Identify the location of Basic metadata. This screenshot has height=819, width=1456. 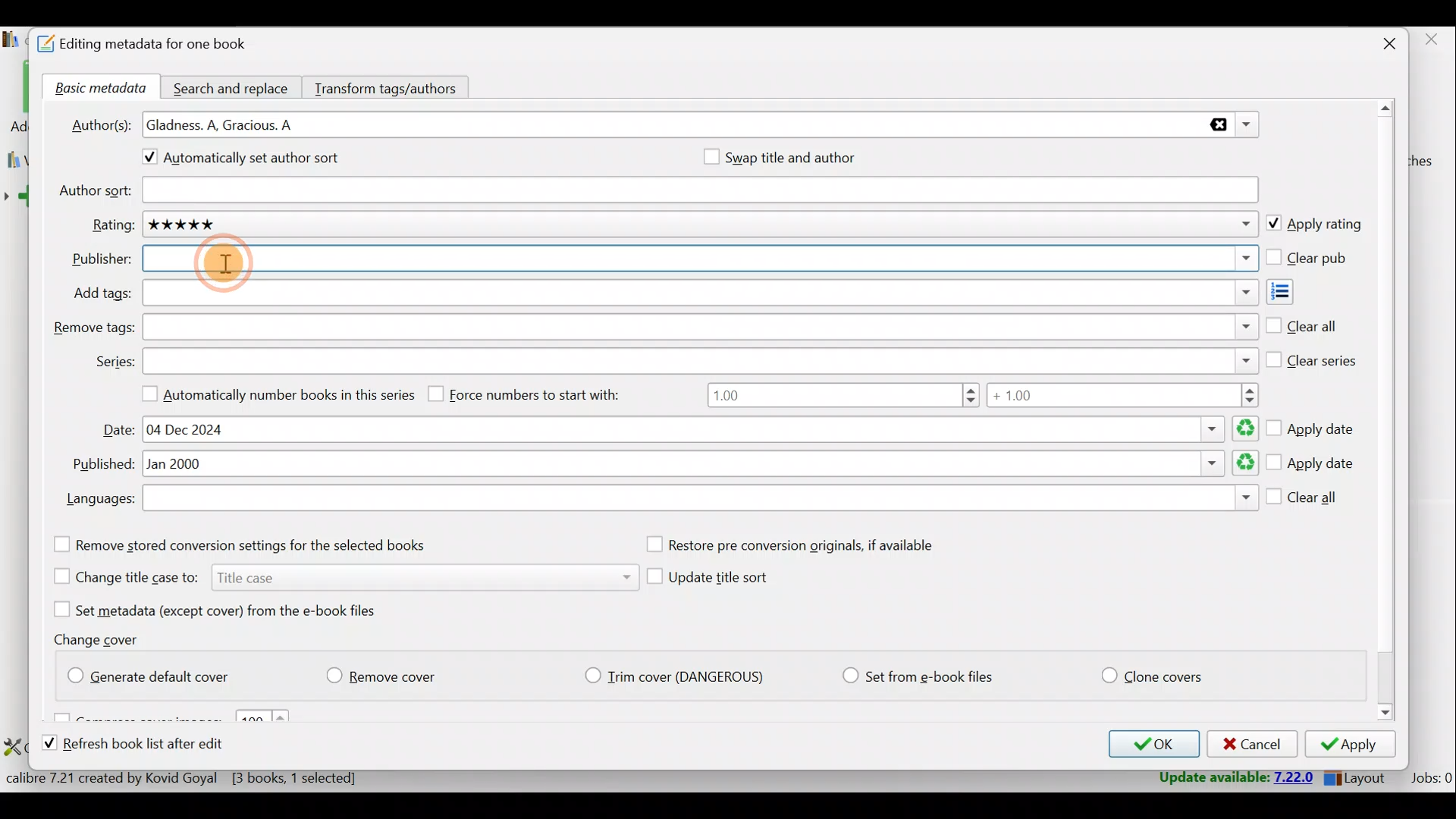
(96, 89).